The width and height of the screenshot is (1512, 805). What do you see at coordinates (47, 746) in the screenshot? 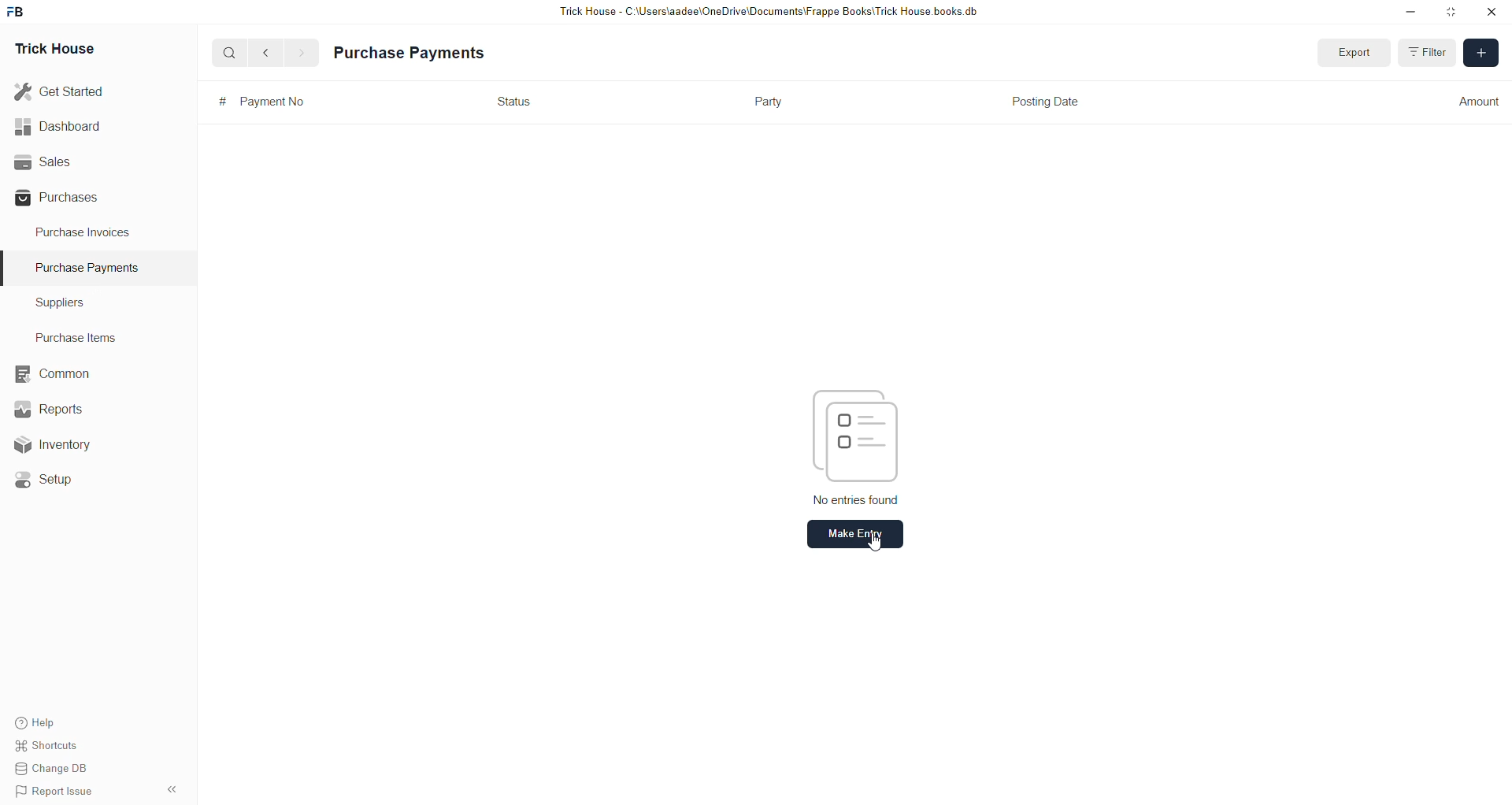
I see `Shortcuts` at bounding box center [47, 746].